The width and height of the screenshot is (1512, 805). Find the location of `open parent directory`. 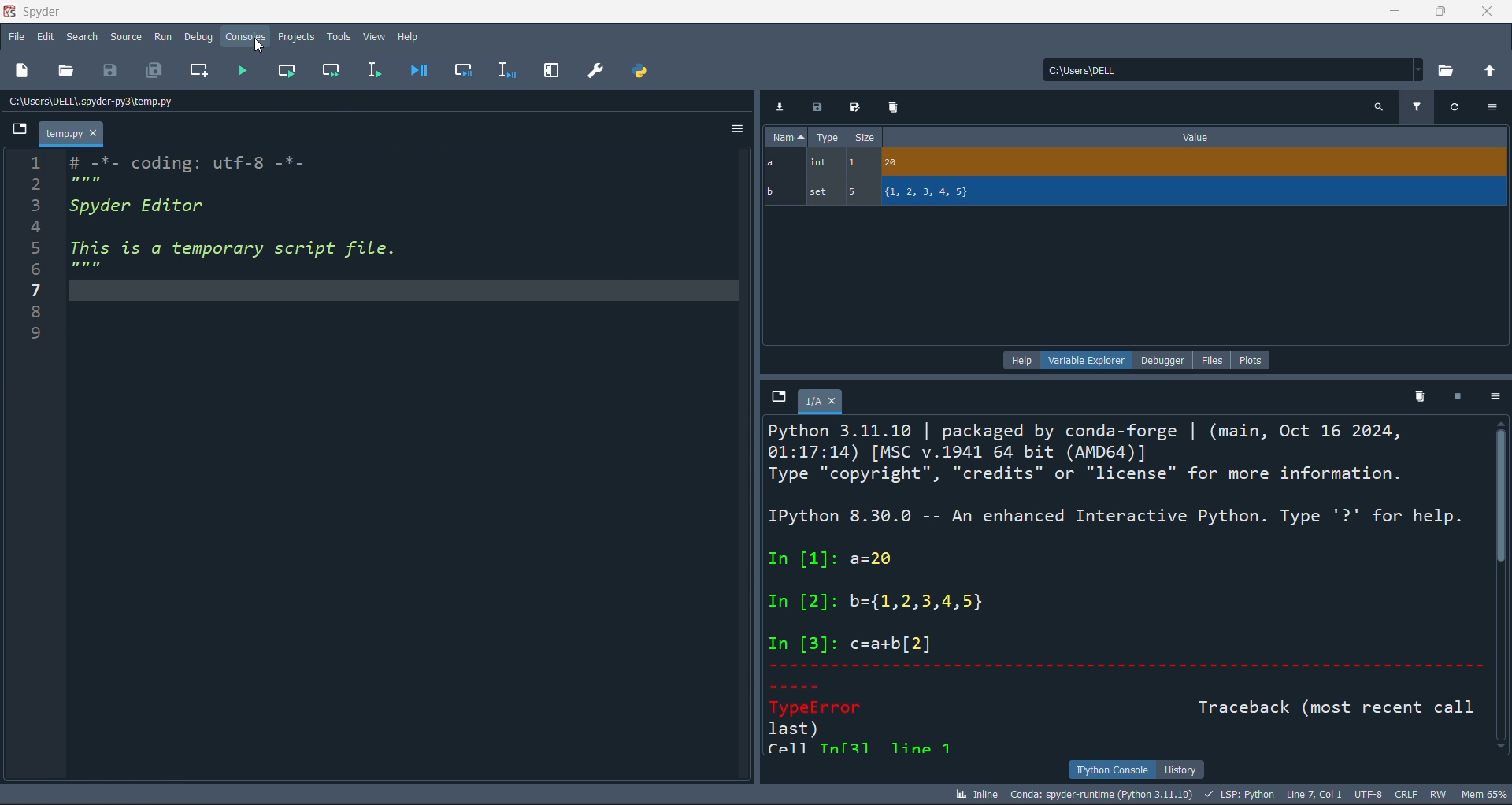

open parent directory is located at coordinates (1492, 72).